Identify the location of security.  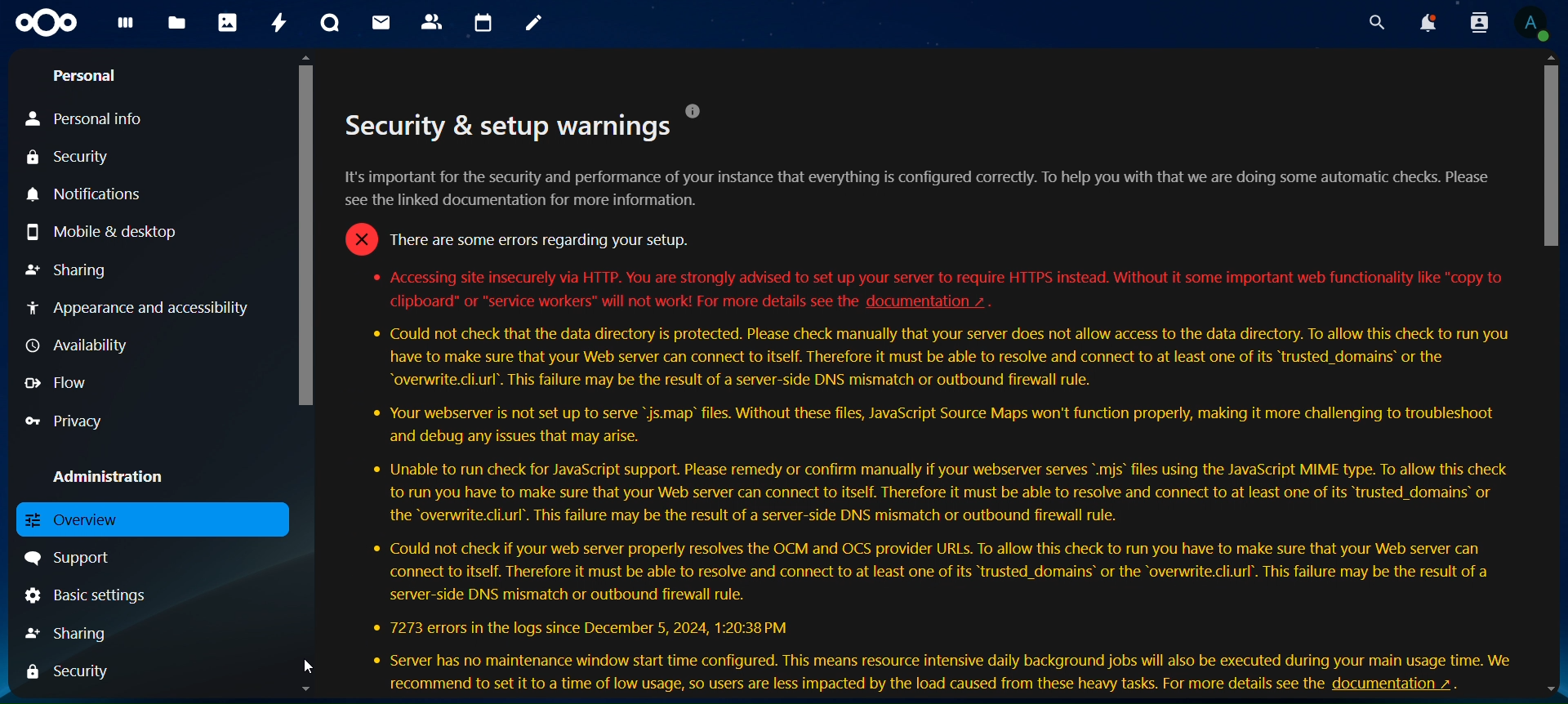
(72, 156).